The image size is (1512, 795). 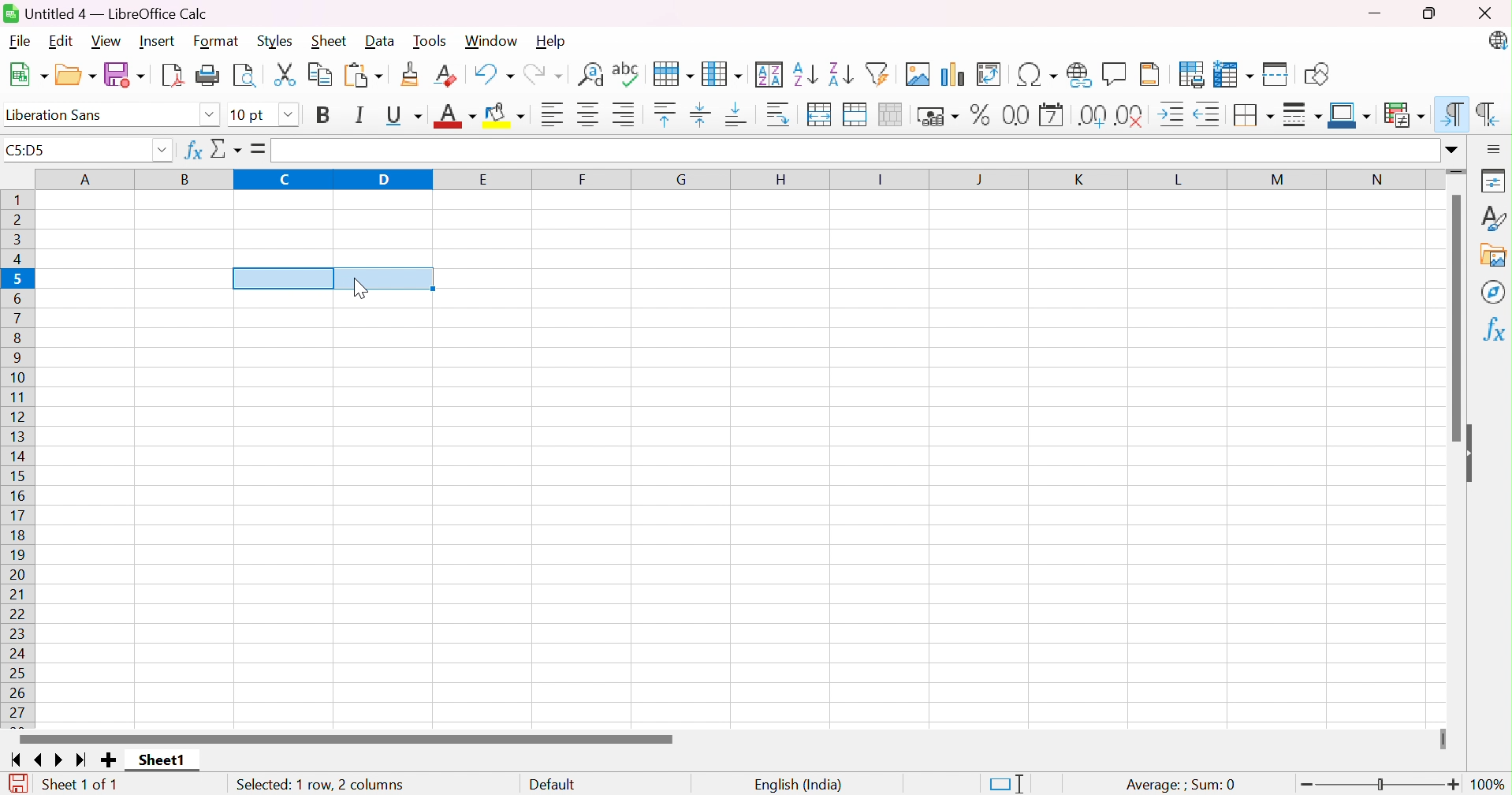 What do you see at coordinates (739, 117) in the screenshot?
I see `Align Bottom` at bounding box center [739, 117].